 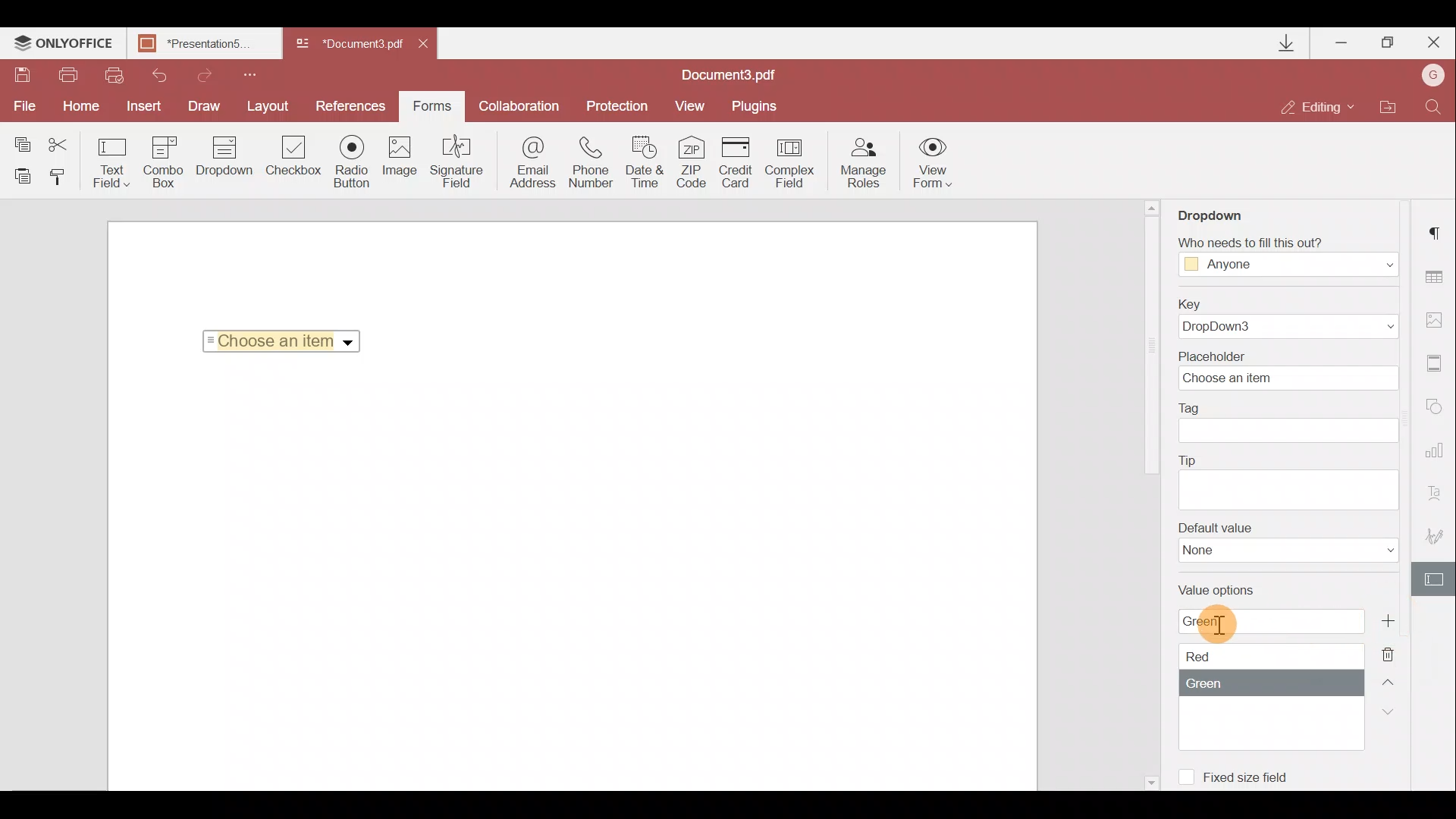 I want to click on Redo, so click(x=206, y=74).